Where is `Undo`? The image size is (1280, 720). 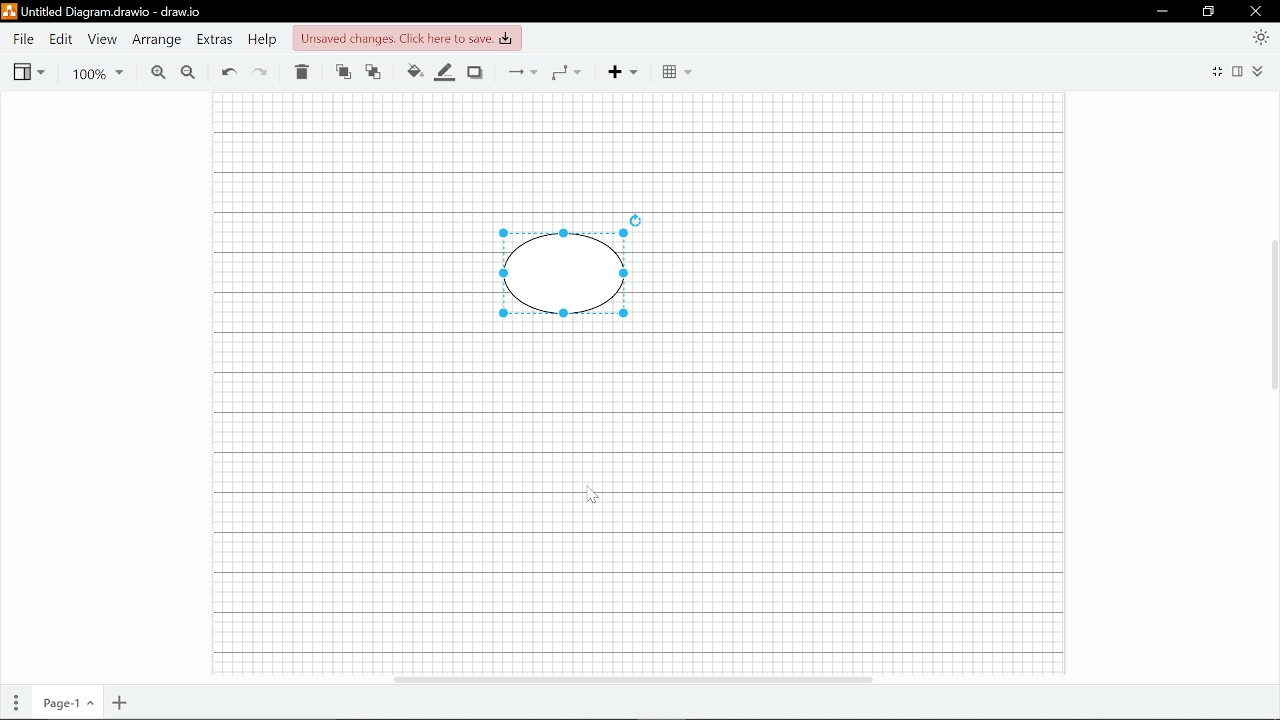
Undo is located at coordinates (228, 73).